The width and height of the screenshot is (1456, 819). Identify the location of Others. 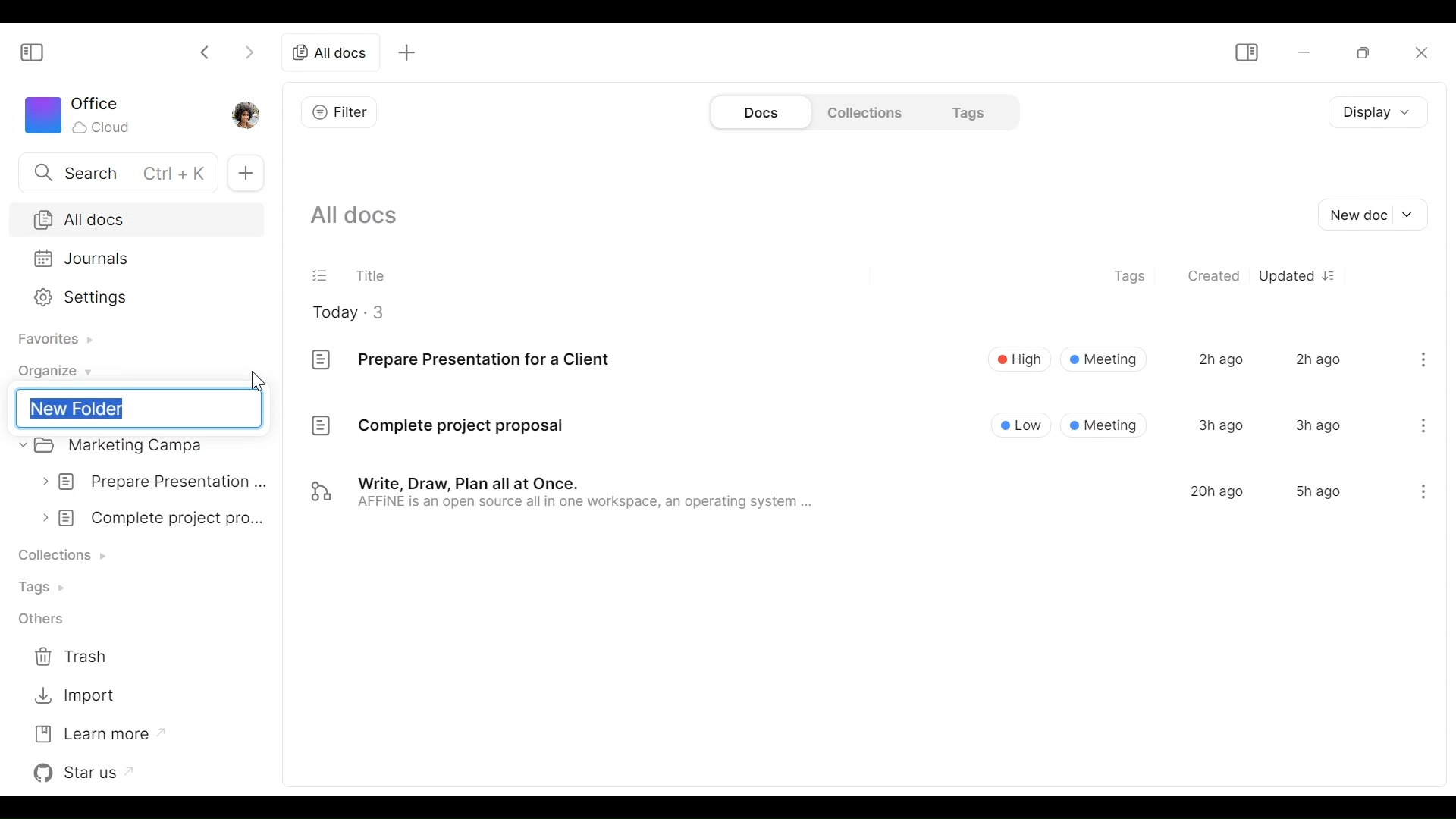
(46, 619).